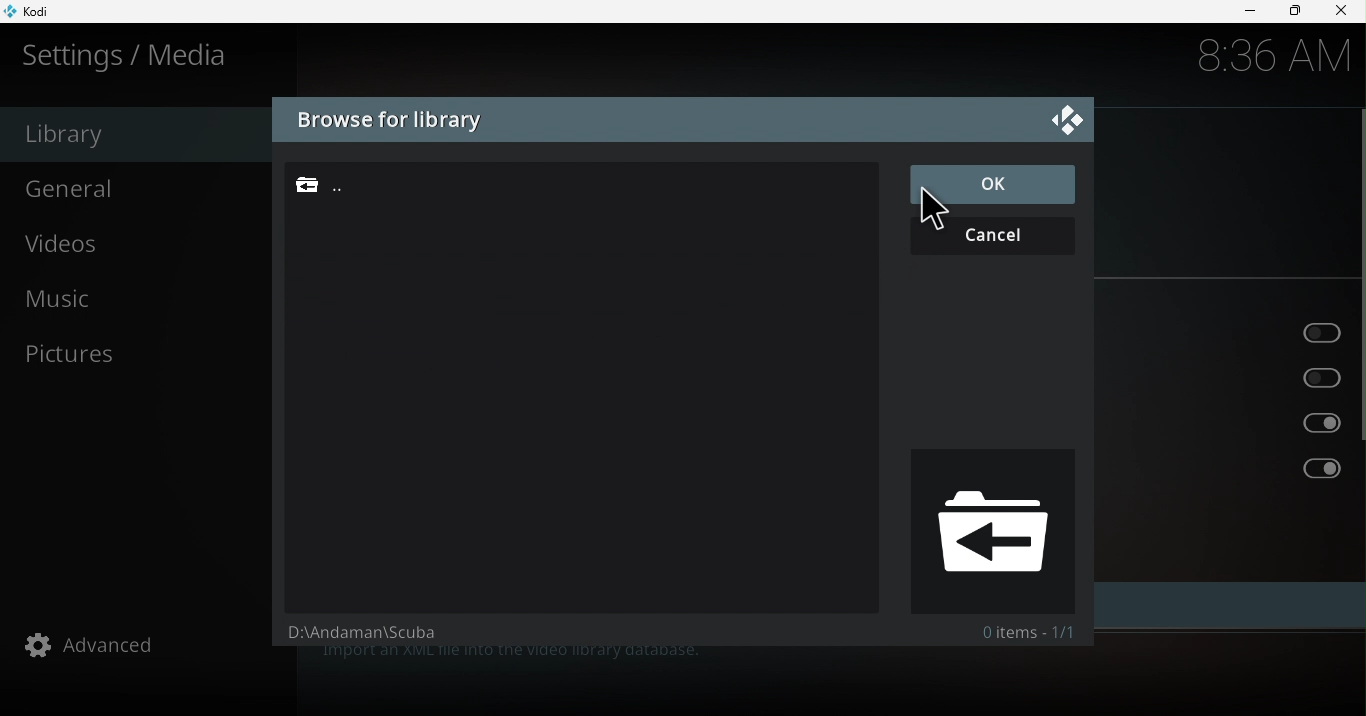  Describe the element at coordinates (138, 187) in the screenshot. I see `General` at that location.